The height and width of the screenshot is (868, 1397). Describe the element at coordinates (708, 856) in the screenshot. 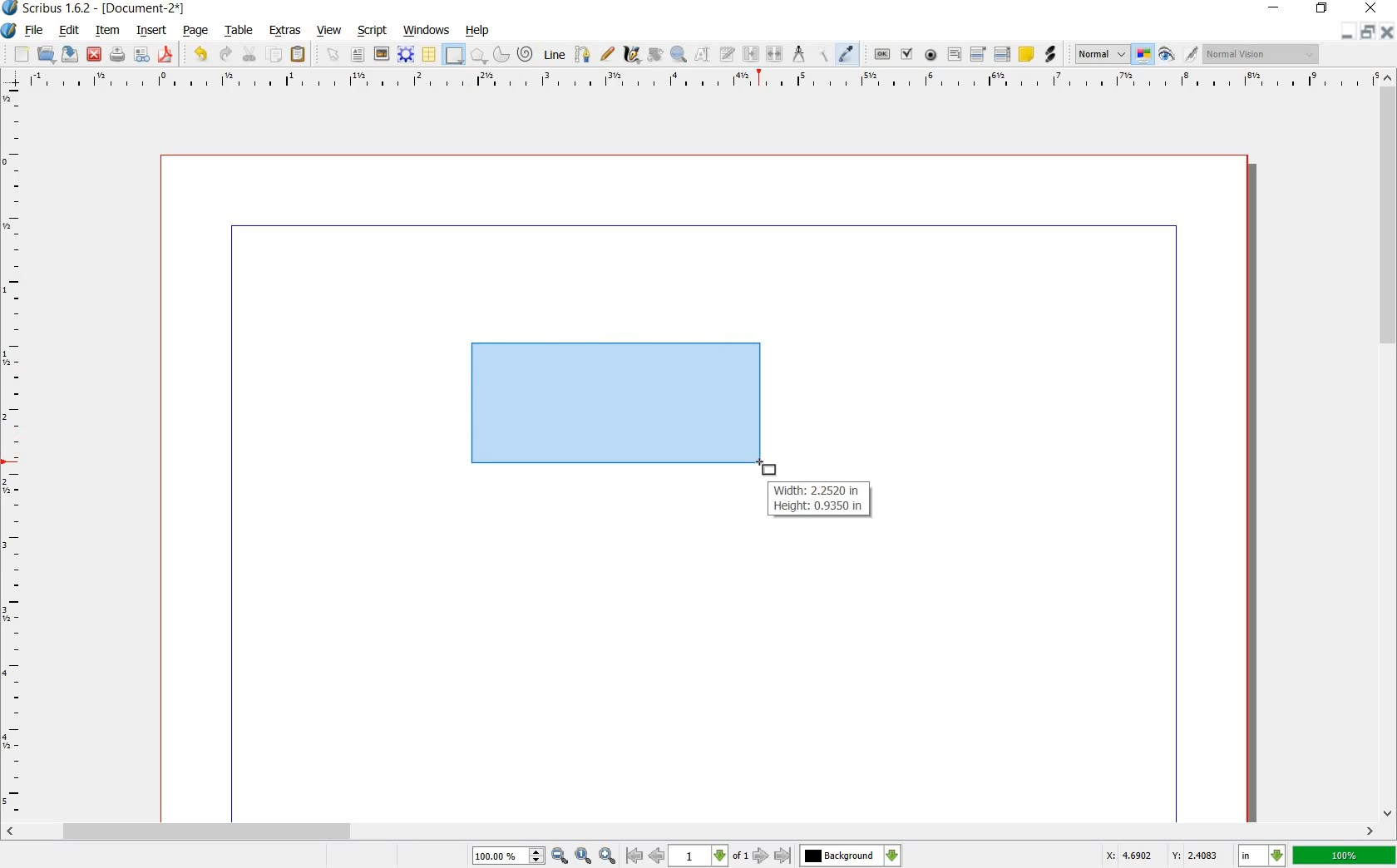

I see `select current page` at that location.